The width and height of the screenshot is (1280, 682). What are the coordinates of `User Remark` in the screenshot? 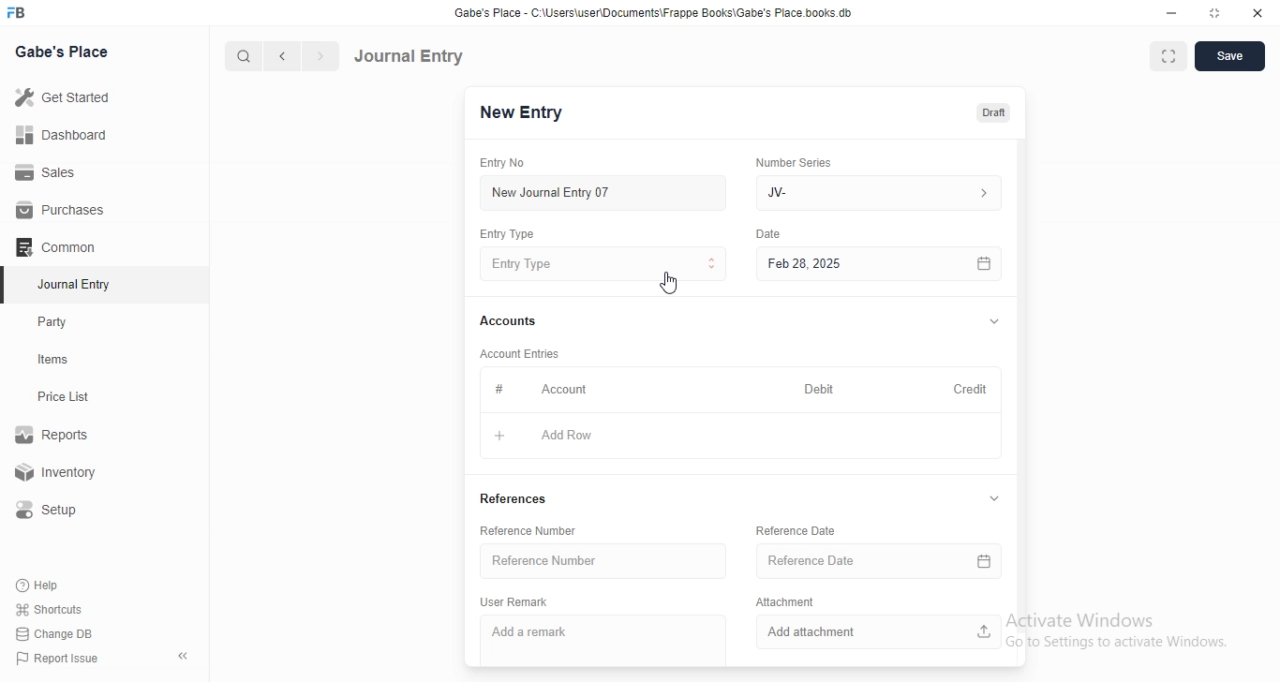 It's located at (515, 603).